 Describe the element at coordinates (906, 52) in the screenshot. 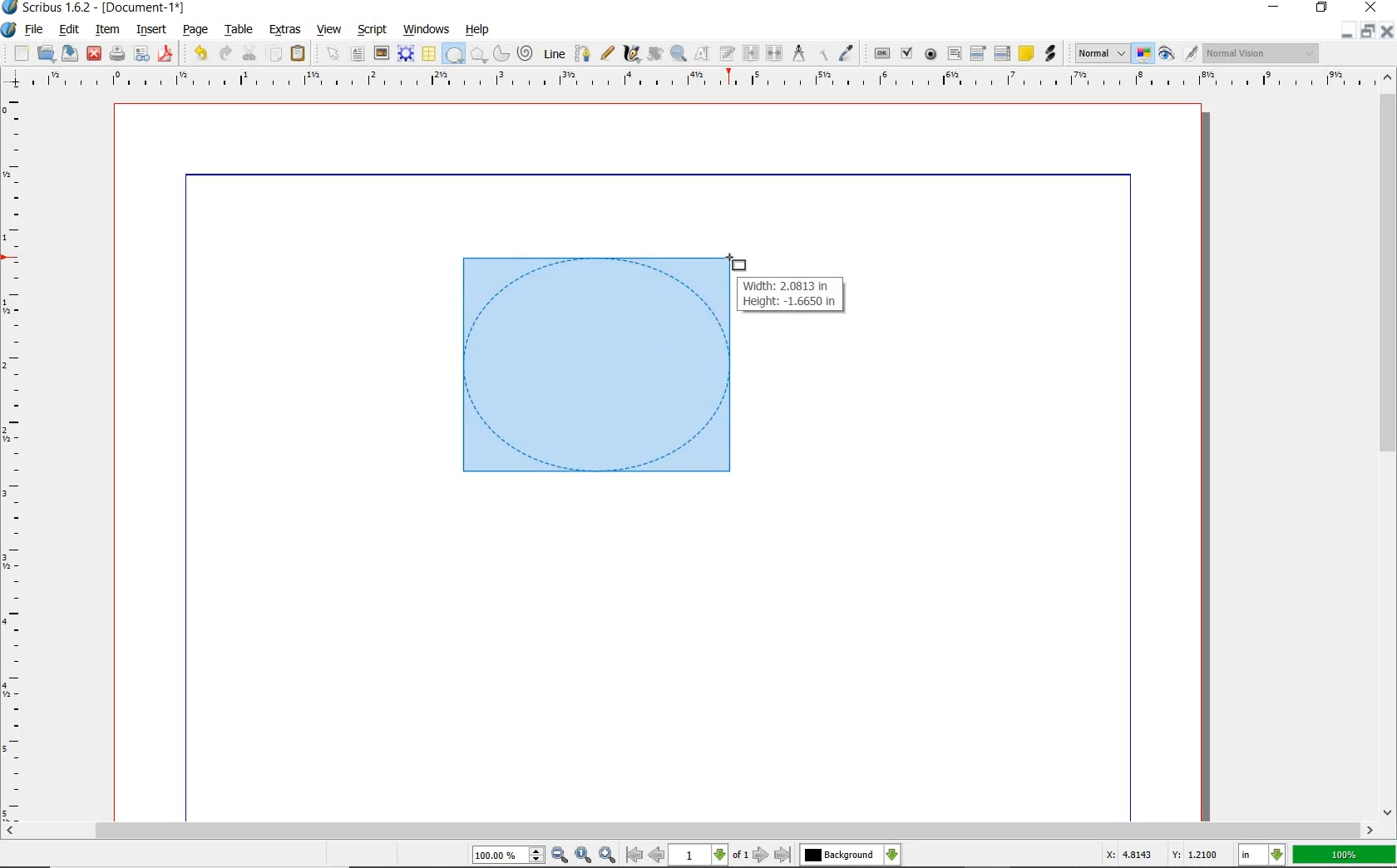

I see `PDF CHECK BOX` at that location.